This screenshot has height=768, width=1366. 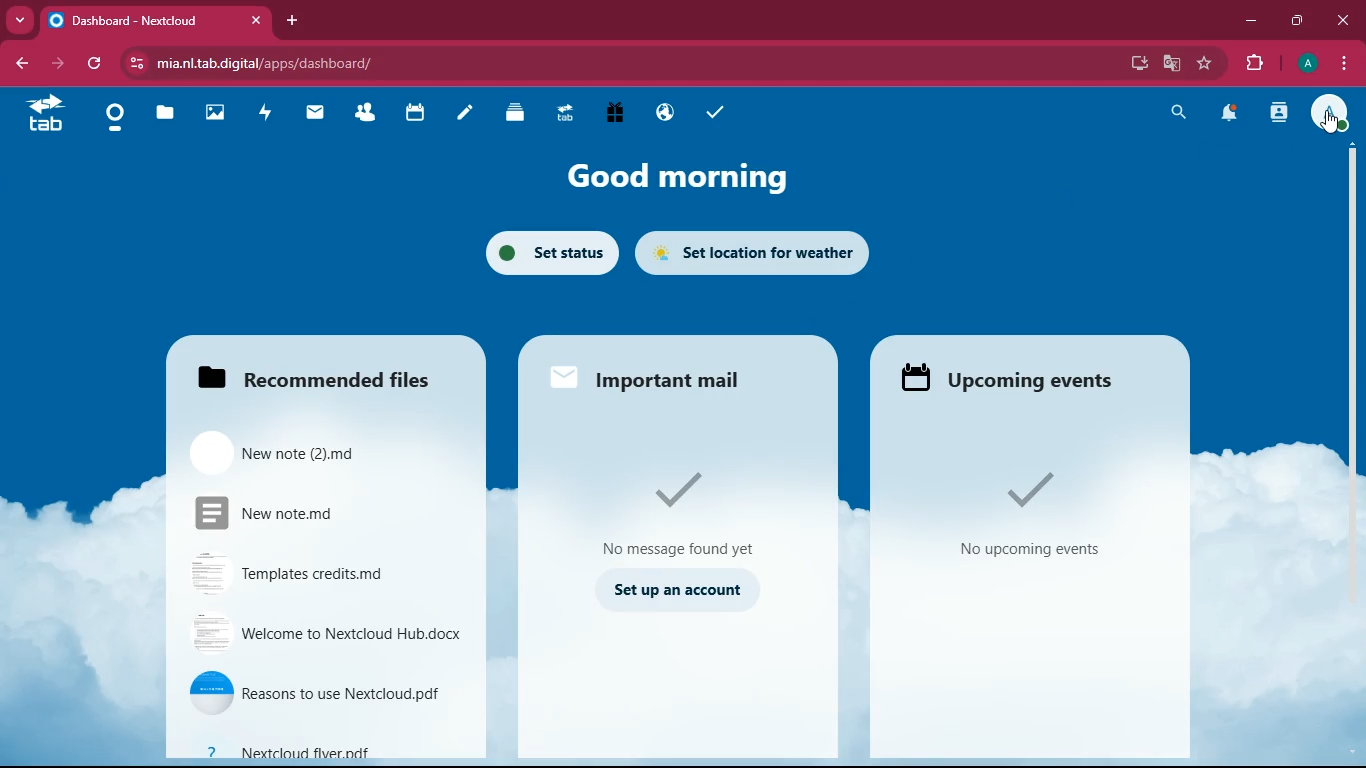 What do you see at coordinates (96, 64) in the screenshot?
I see `refresh` at bounding box center [96, 64].